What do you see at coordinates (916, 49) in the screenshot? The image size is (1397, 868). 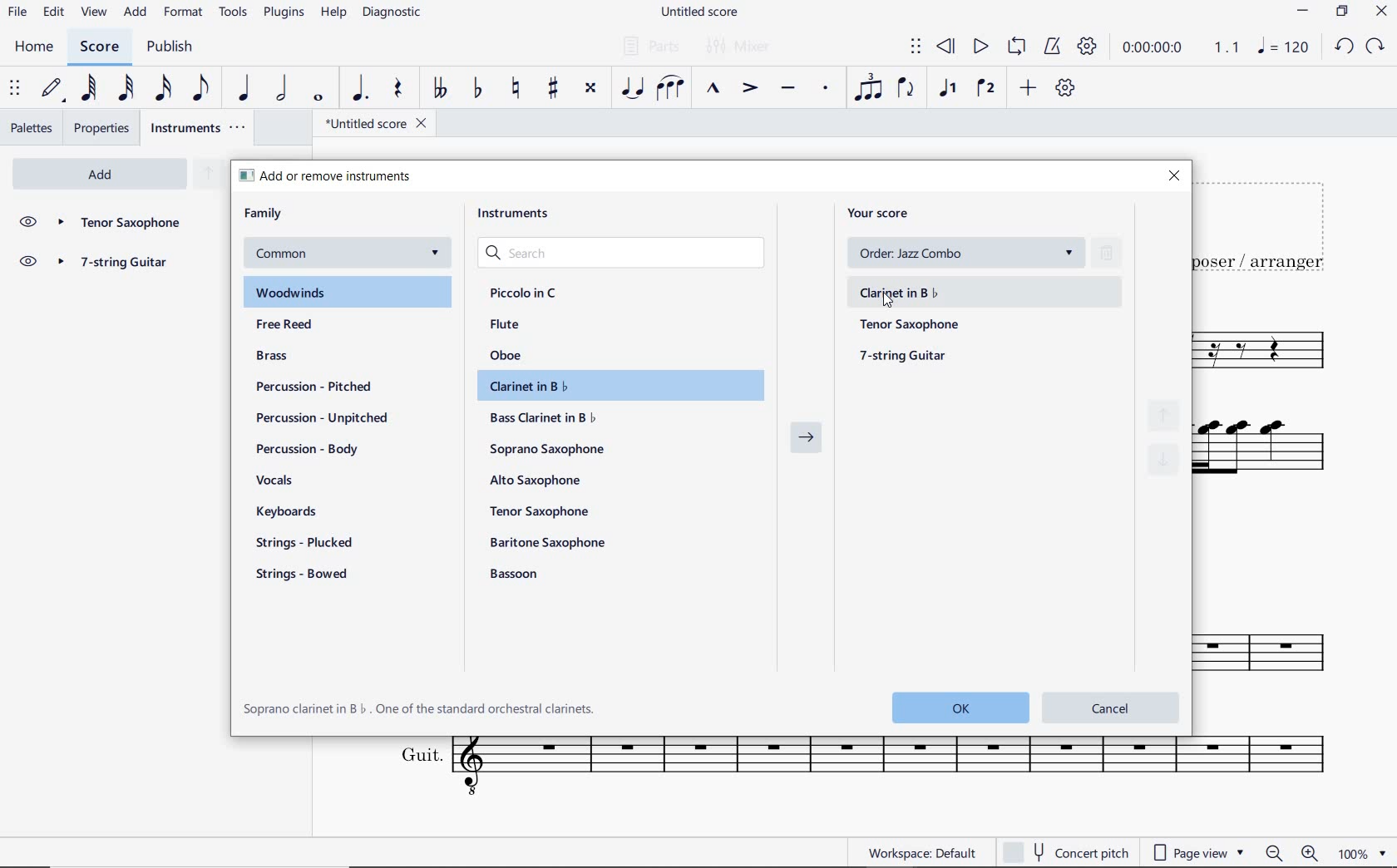 I see `SELECT TO MOVE` at bounding box center [916, 49].